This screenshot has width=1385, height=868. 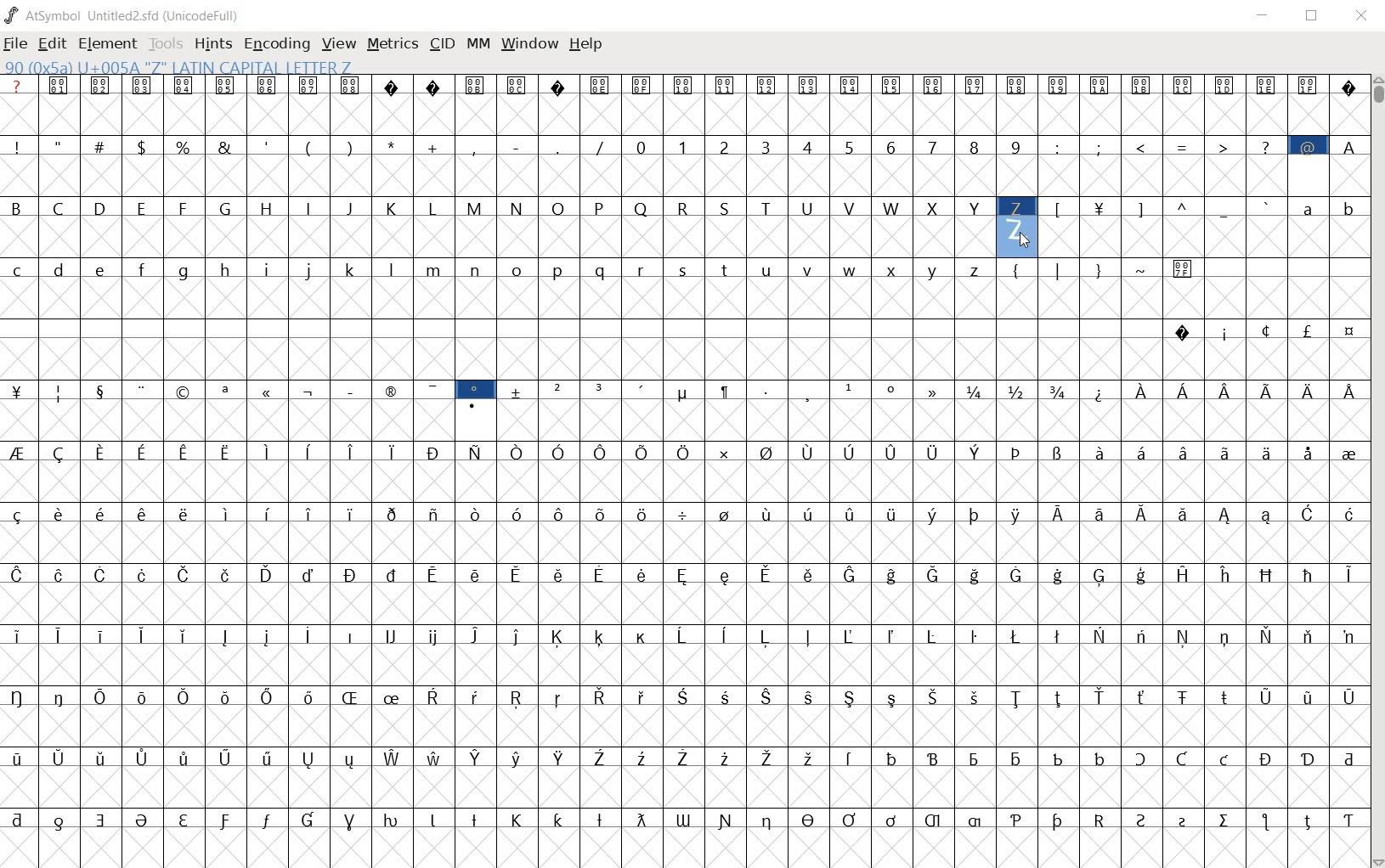 What do you see at coordinates (178, 68) in the screenshot?
I see `90(0x5a) U+005A "Z" LATIN CAPITAL LETTER Z` at bounding box center [178, 68].